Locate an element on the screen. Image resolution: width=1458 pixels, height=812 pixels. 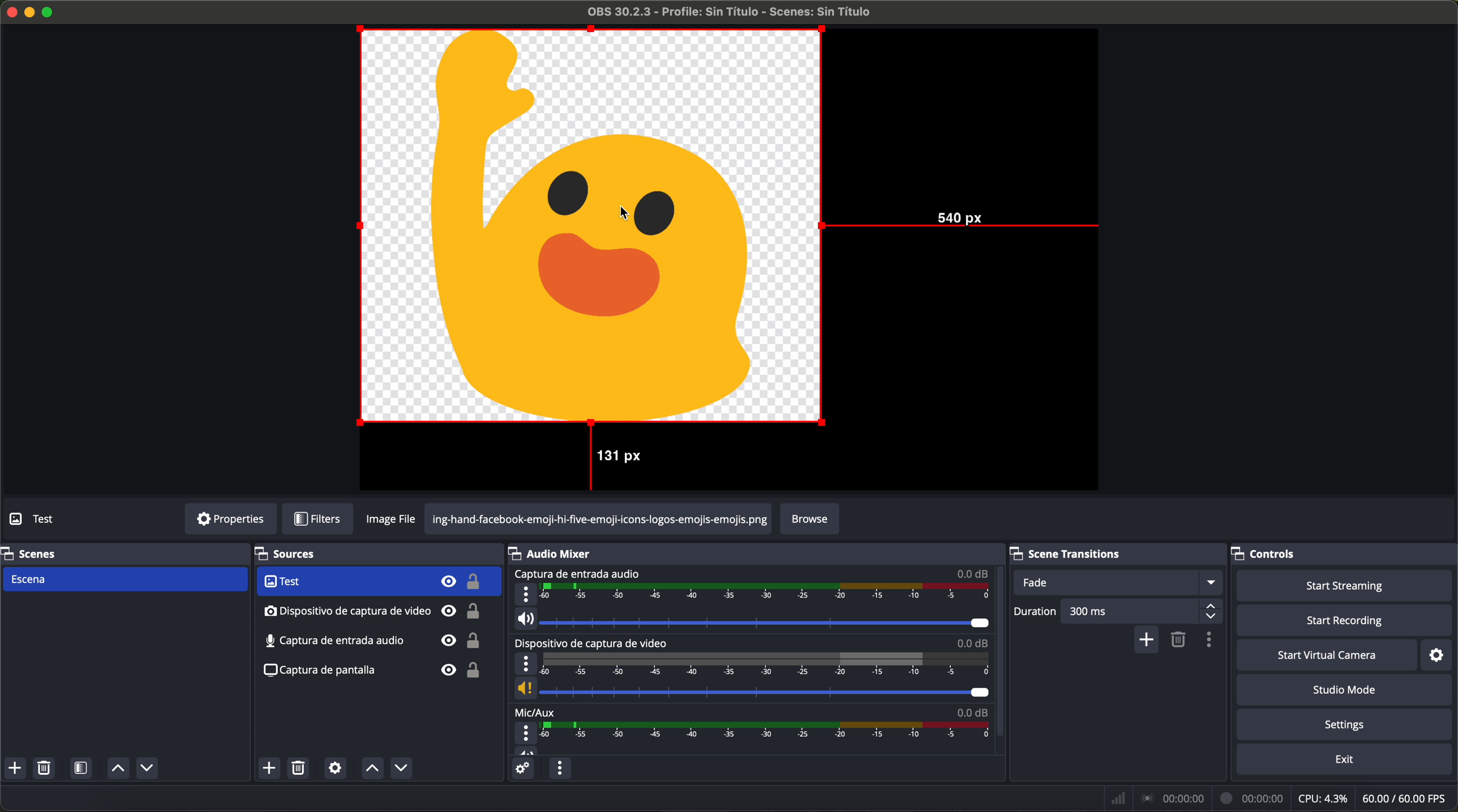
controls is located at coordinates (1274, 551).